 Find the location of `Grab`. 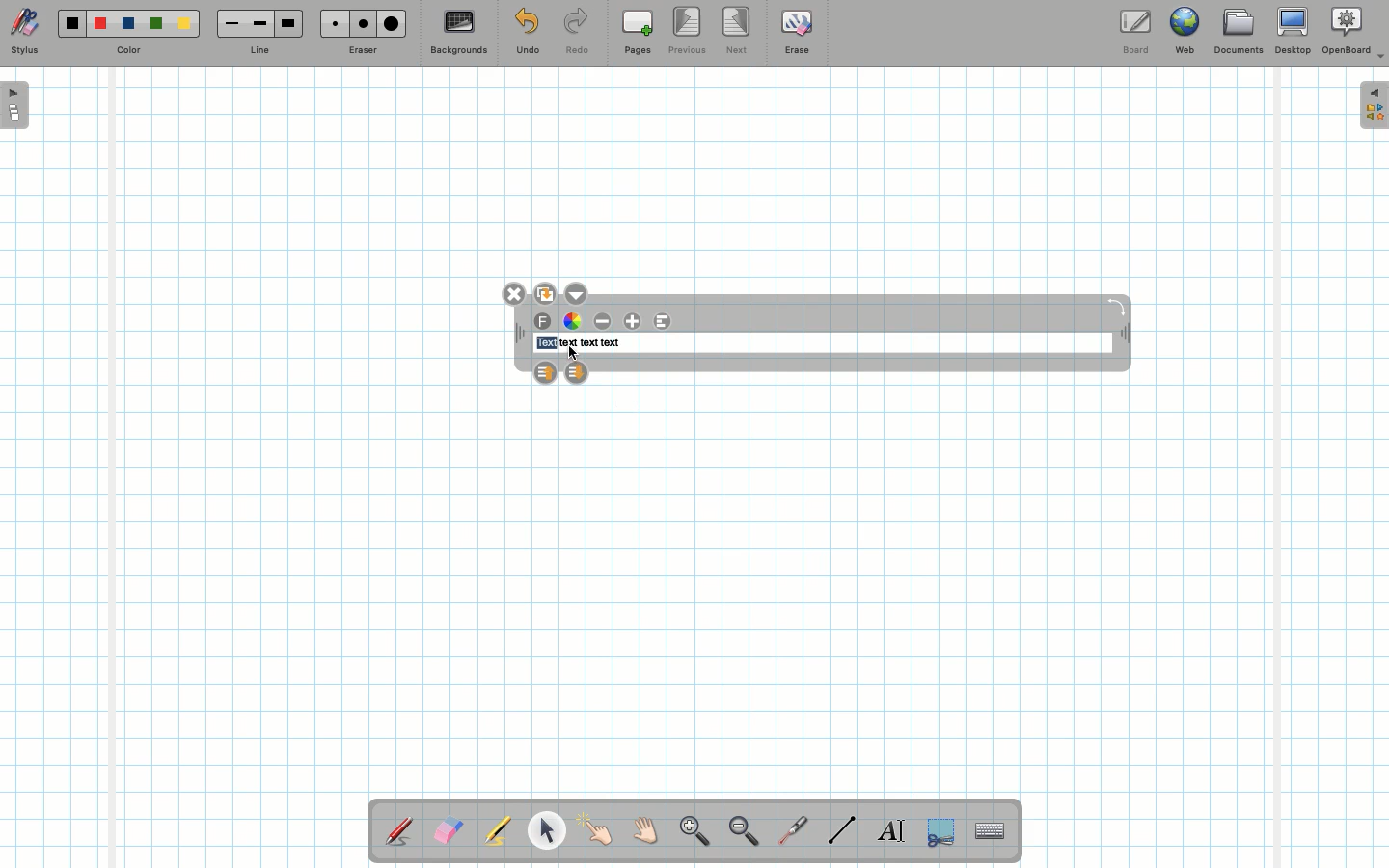

Grab is located at coordinates (646, 833).